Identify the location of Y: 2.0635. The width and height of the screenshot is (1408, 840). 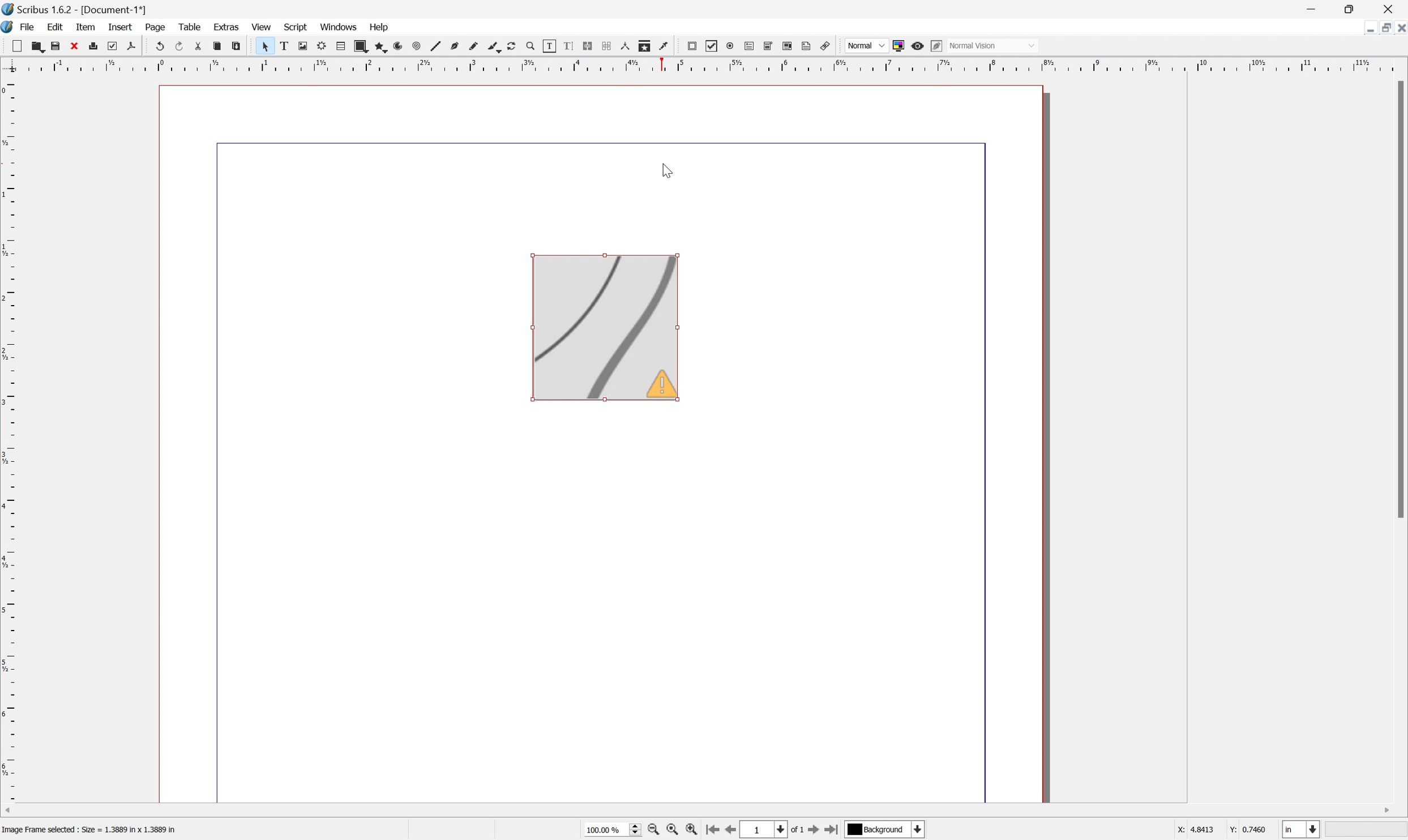
(1249, 830).